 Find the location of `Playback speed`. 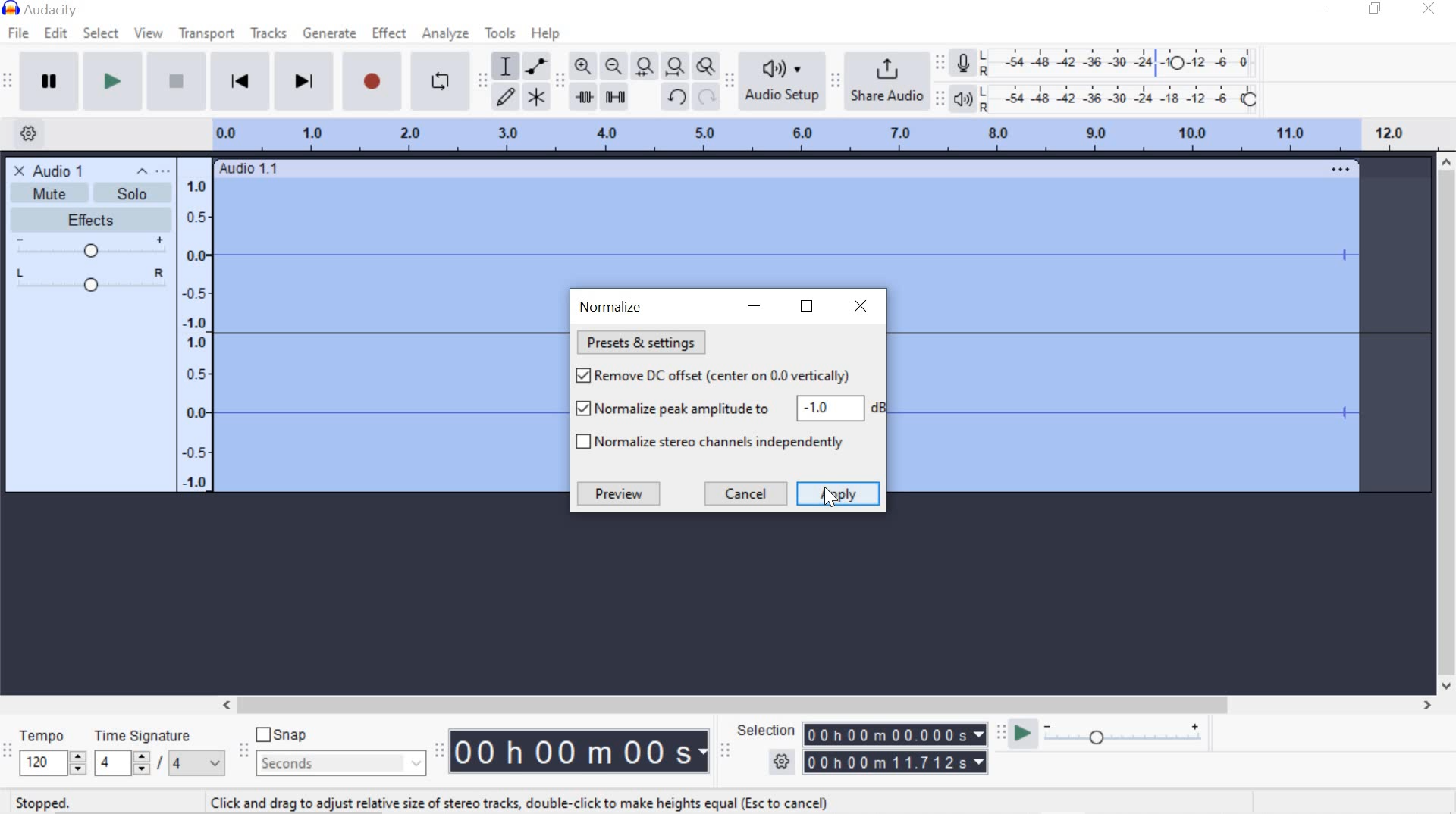

Playback speed is located at coordinates (1128, 735).